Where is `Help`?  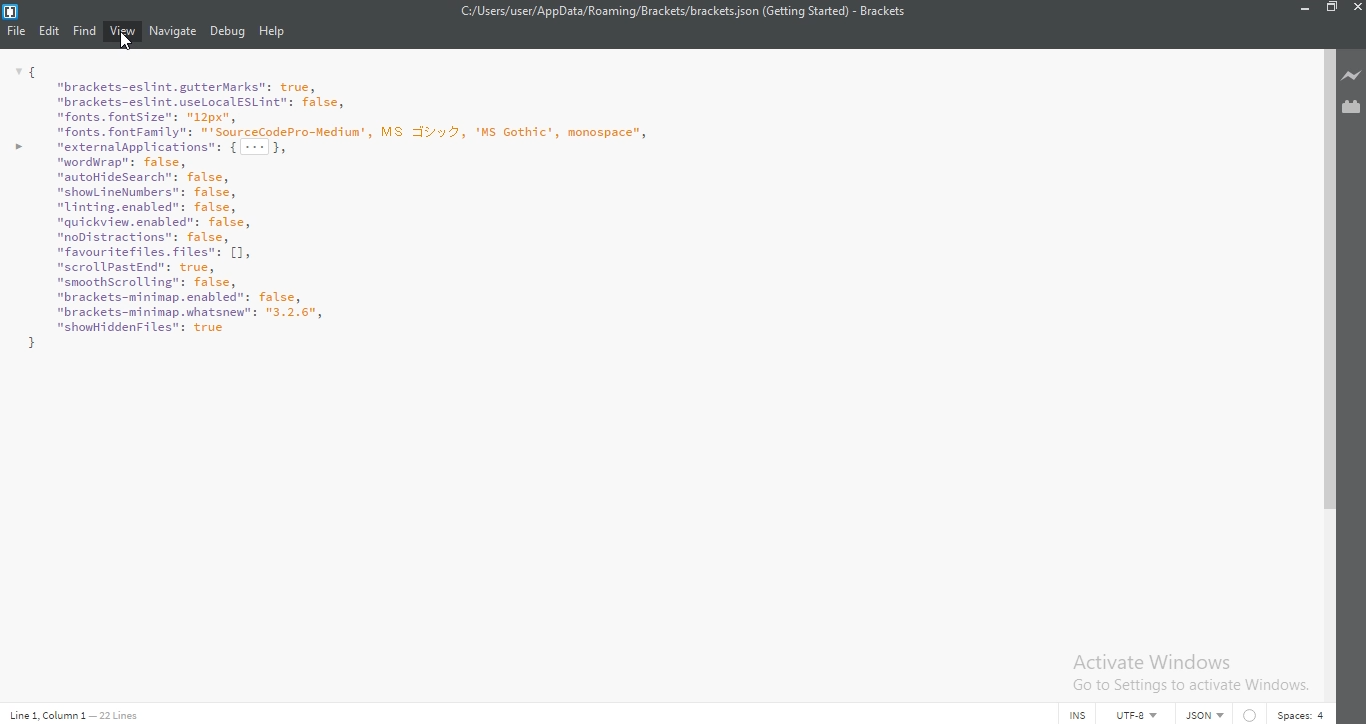 Help is located at coordinates (274, 32).